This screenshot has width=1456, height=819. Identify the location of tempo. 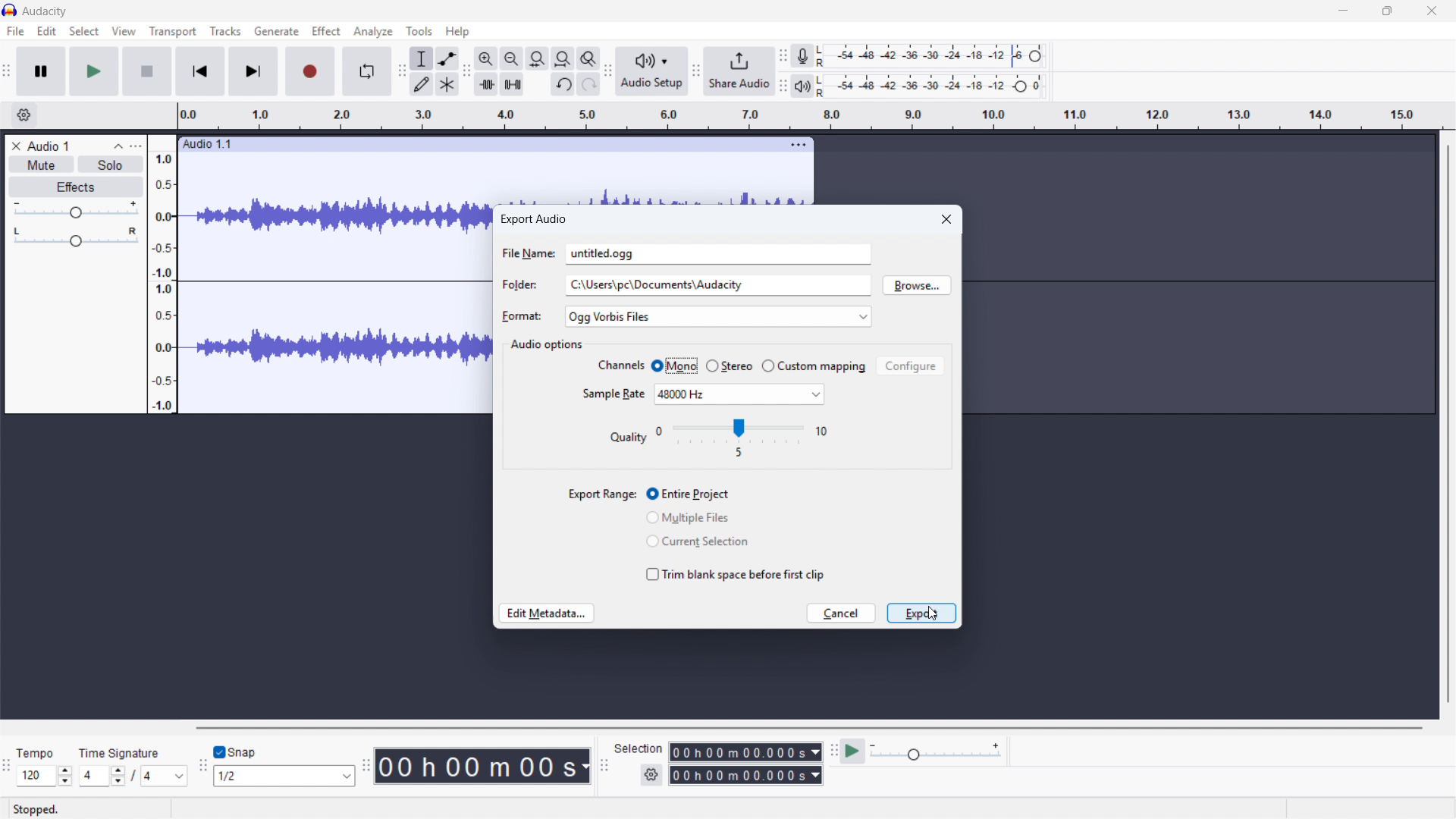
(39, 753).